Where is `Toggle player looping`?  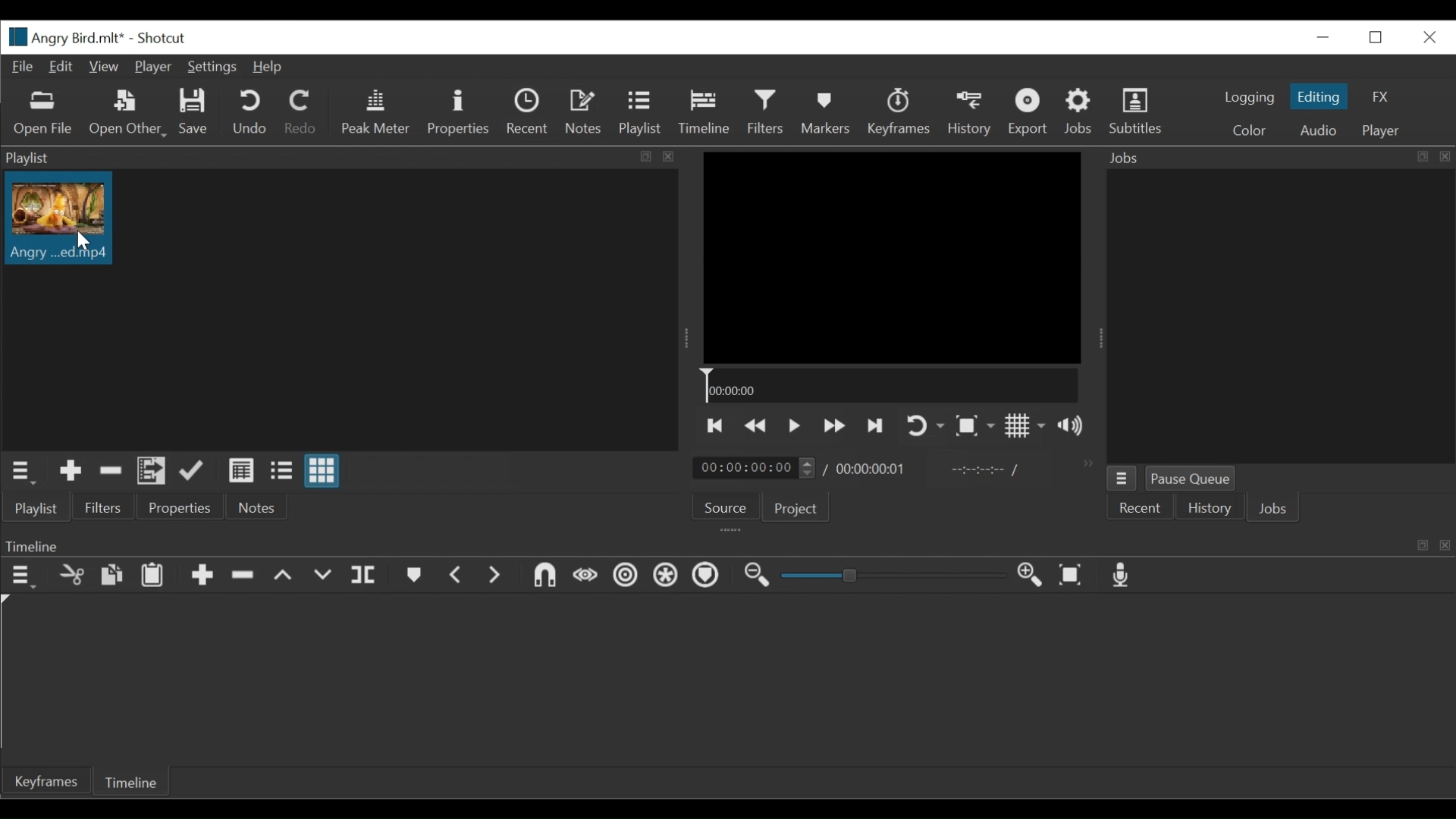
Toggle player looping is located at coordinates (923, 425).